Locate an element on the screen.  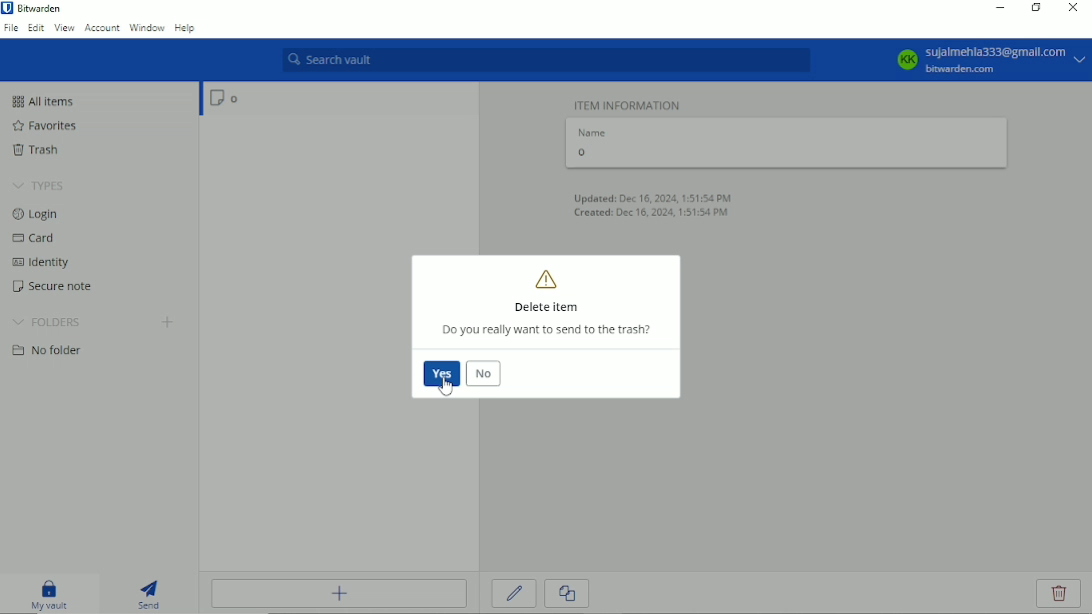
Edit is located at coordinates (34, 30).